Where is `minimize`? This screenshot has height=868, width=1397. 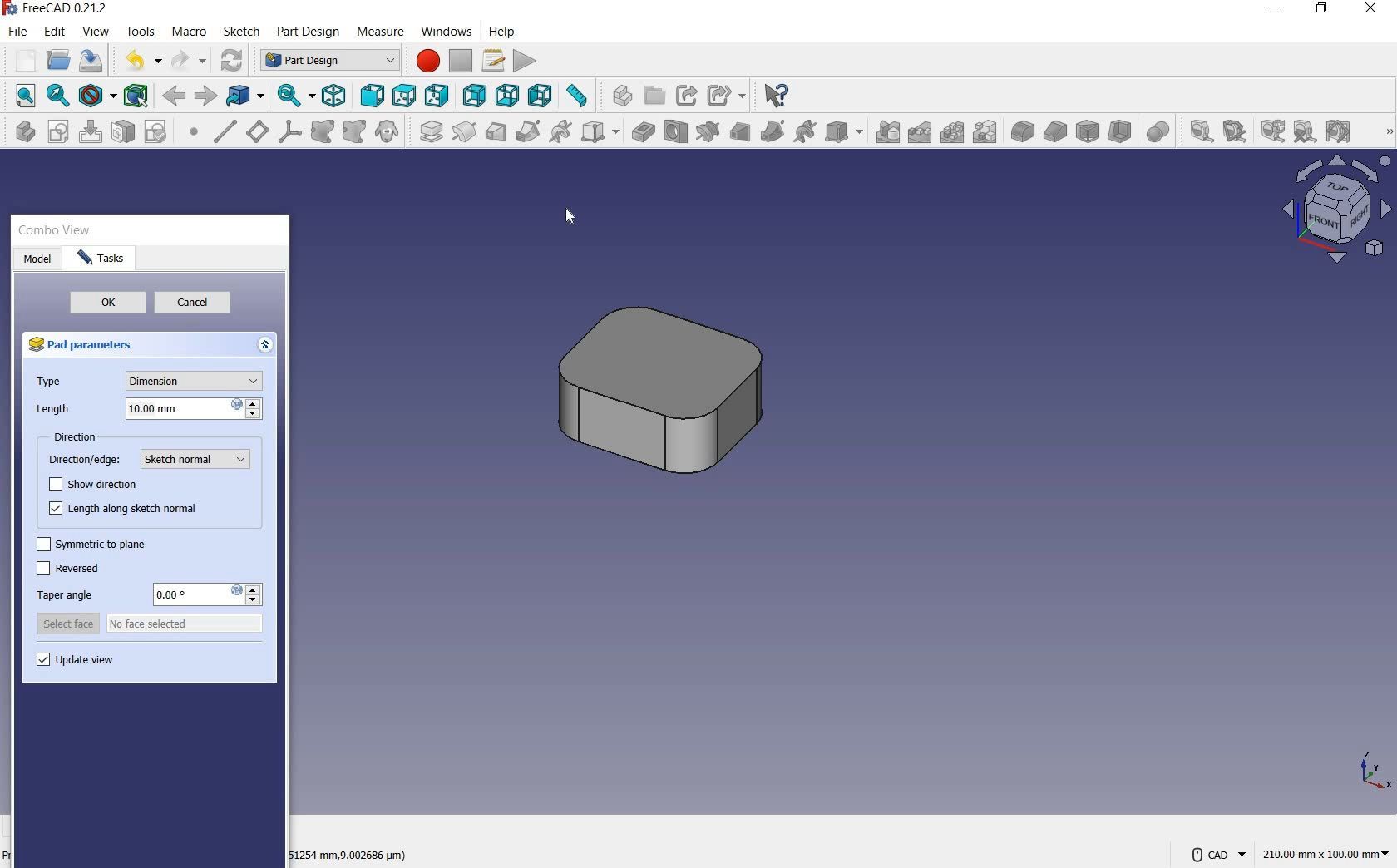 minimize is located at coordinates (1276, 8).